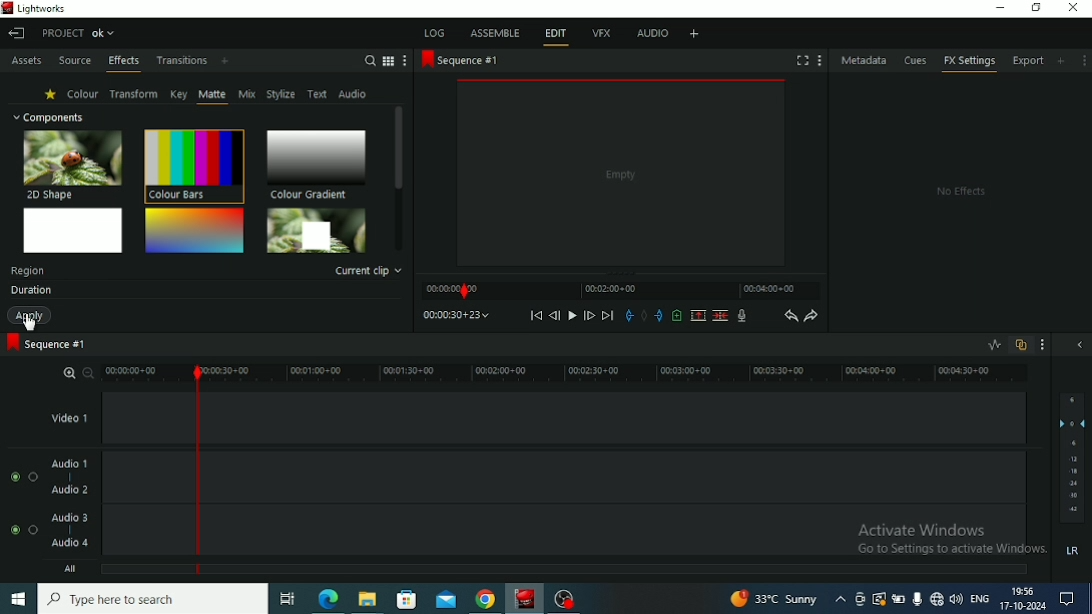 This screenshot has height=614, width=1092. What do you see at coordinates (526, 598) in the screenshot?
I see `Lightwork` at bounding box center [526, 598].